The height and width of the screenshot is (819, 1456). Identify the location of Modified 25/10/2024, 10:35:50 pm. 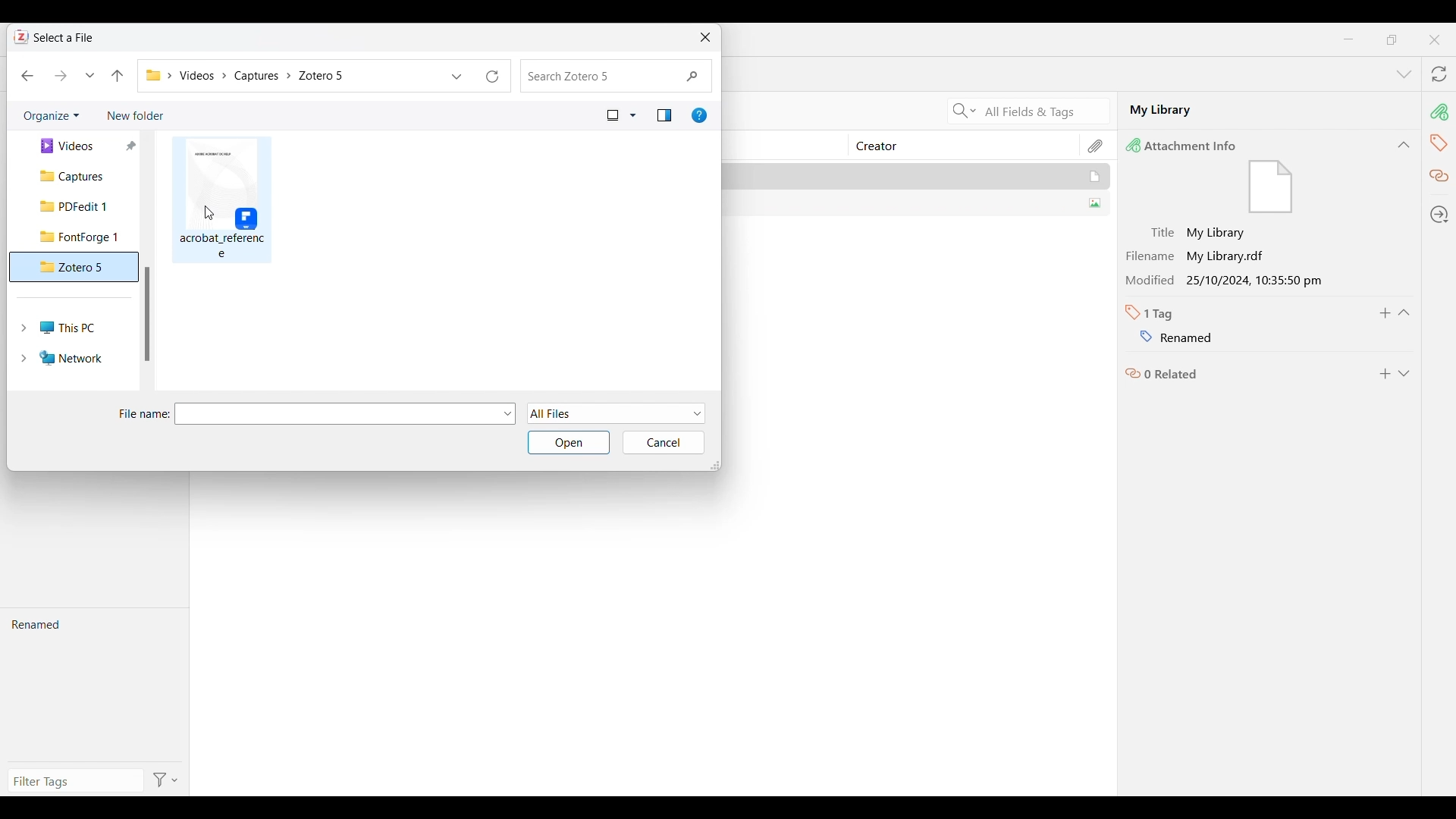
(1231, 281).